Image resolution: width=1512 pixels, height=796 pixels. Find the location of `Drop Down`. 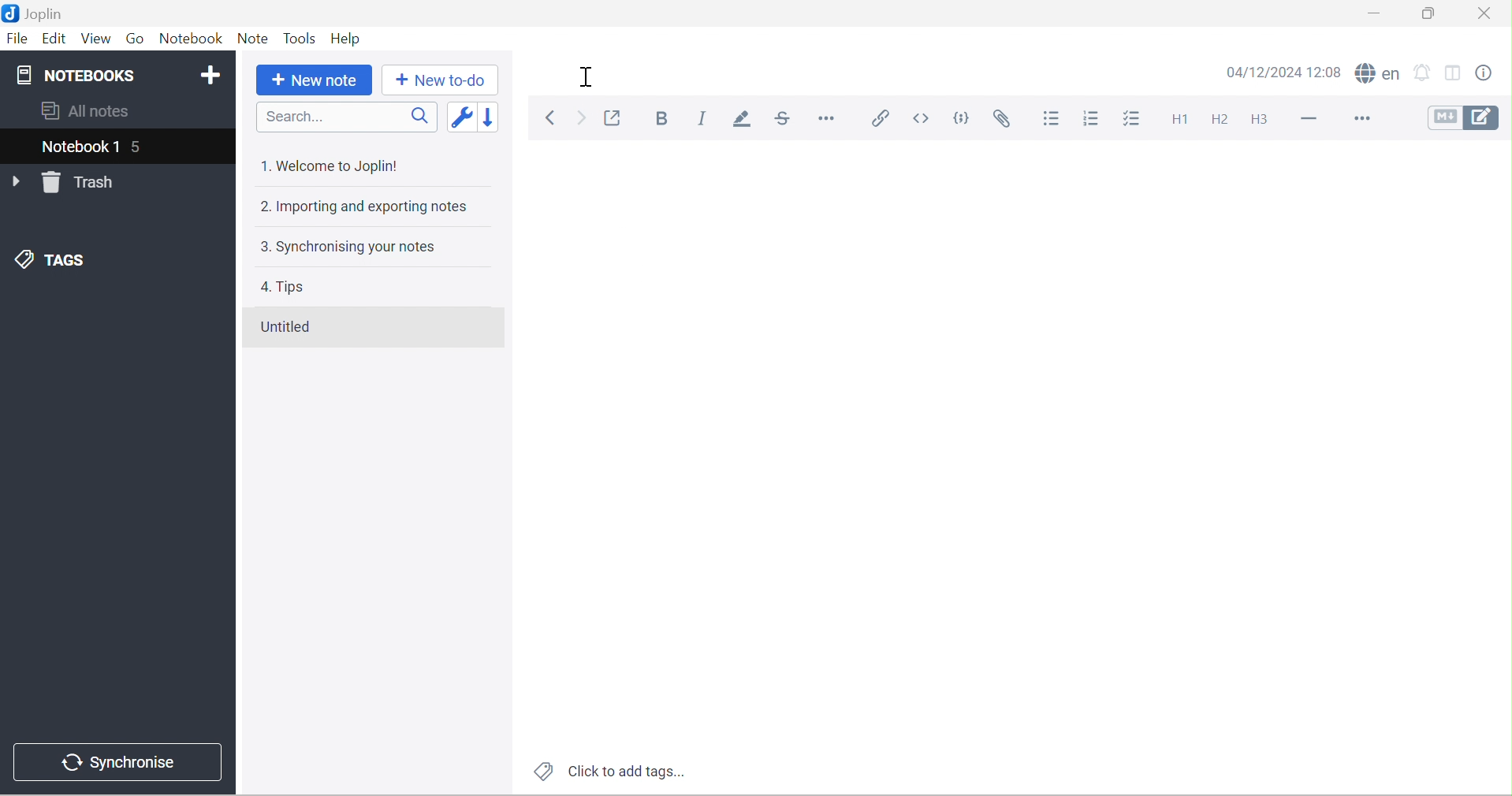

Drop Down is located at coordinates (17, 182).